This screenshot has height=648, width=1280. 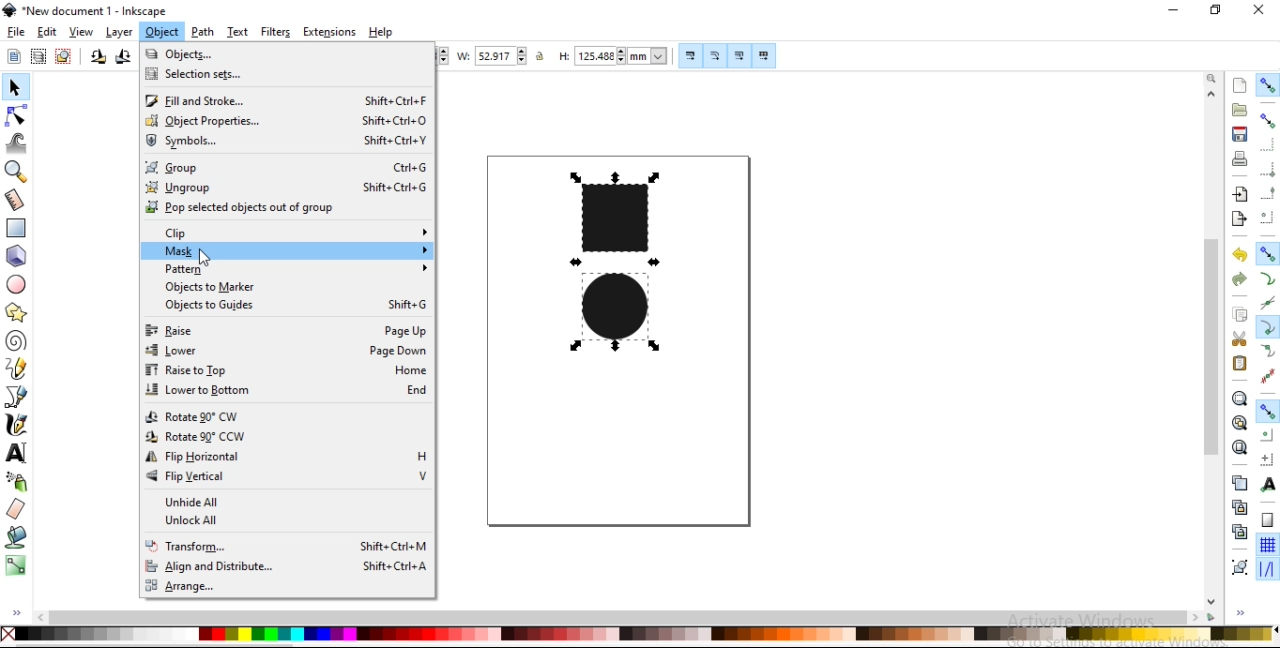 I want to click on snap cusp nodes, so click(x=1267, y=327).